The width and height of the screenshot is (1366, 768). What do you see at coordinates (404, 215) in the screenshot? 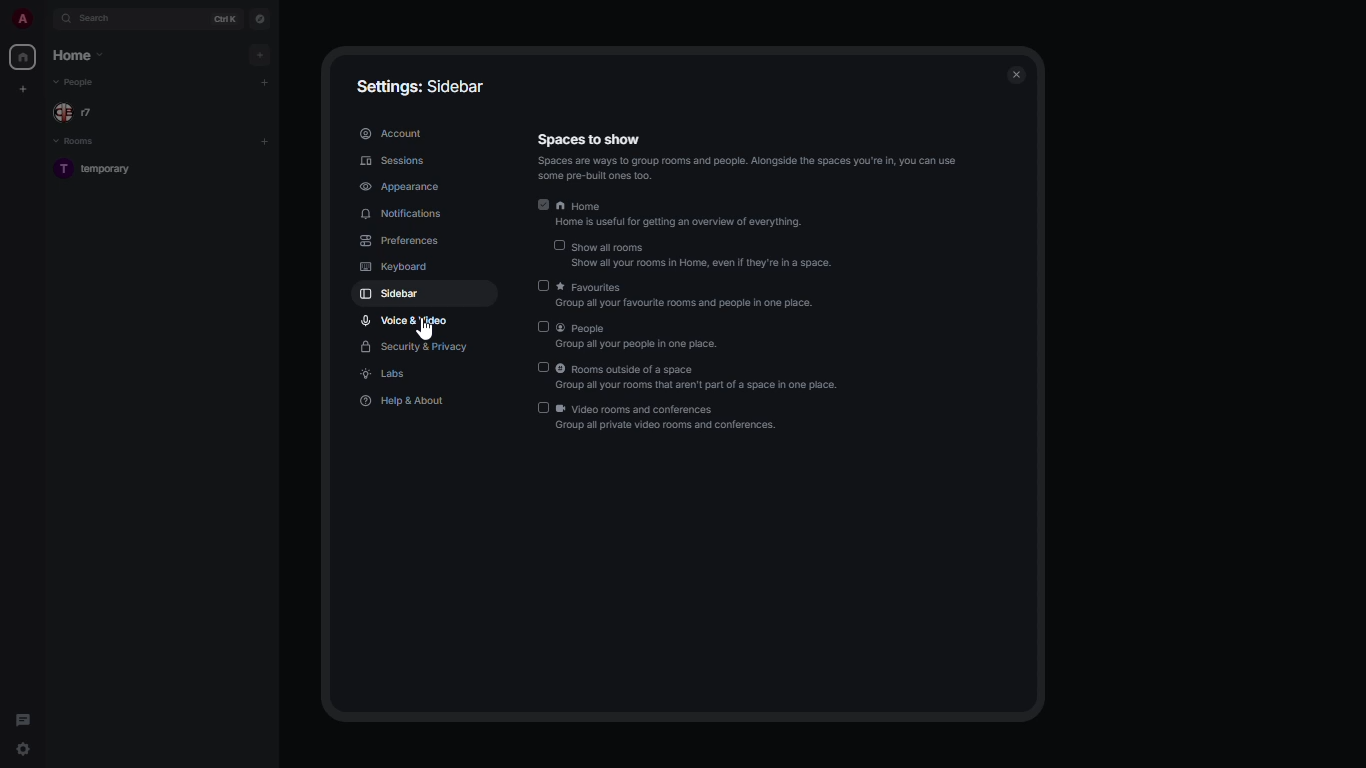
I see `` at bounding box center [404, 215].